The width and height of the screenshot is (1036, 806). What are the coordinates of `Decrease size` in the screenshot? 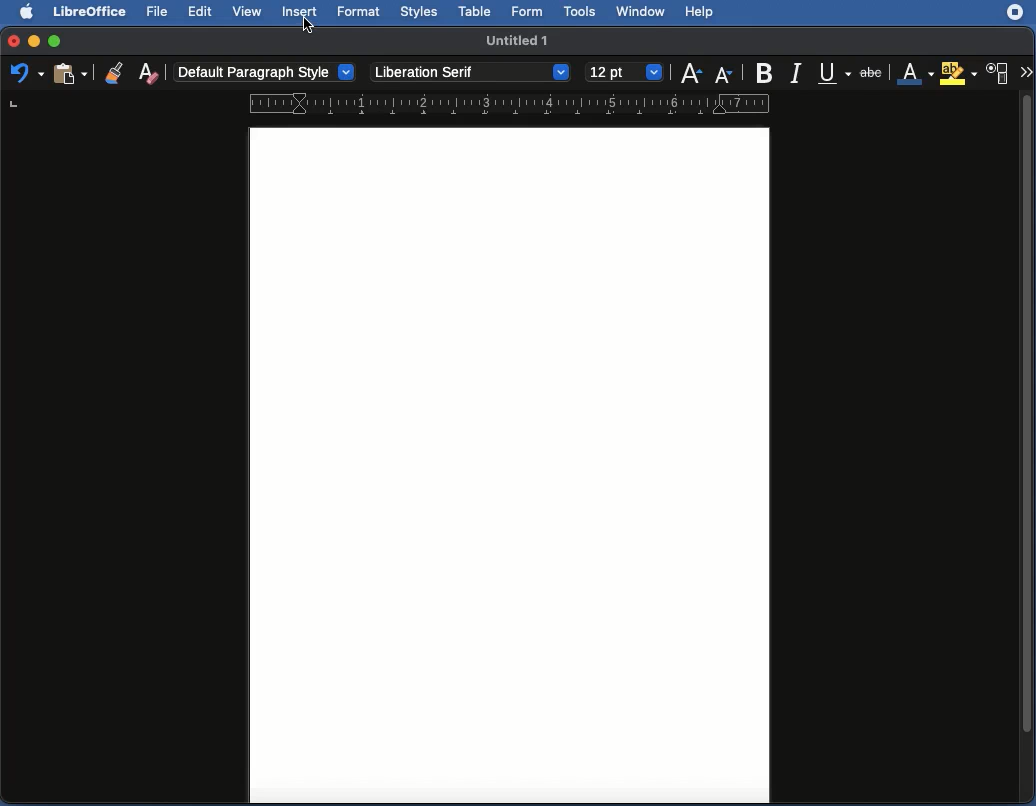 It's located at (726, 71).